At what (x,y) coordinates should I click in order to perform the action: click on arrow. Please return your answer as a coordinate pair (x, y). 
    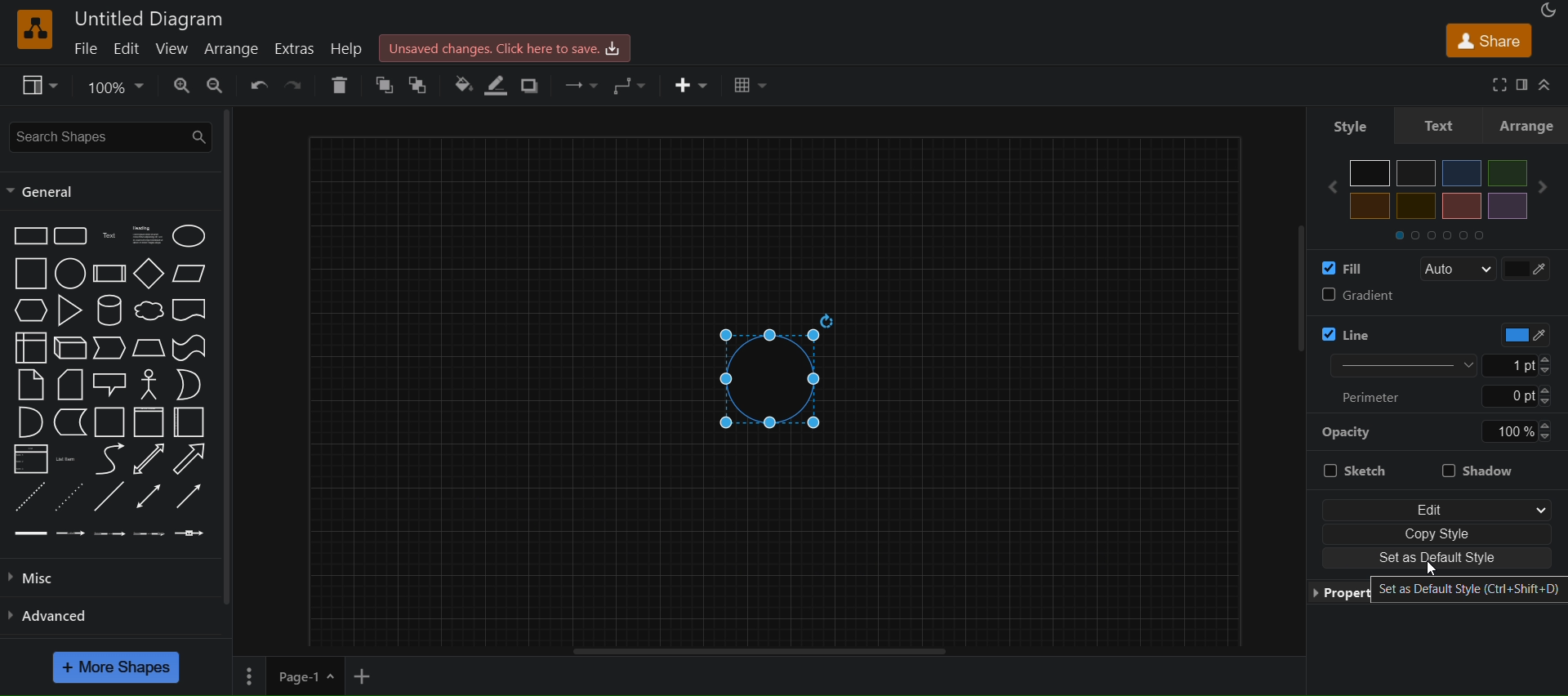
    Looking at the image, I should click on (189, 459).